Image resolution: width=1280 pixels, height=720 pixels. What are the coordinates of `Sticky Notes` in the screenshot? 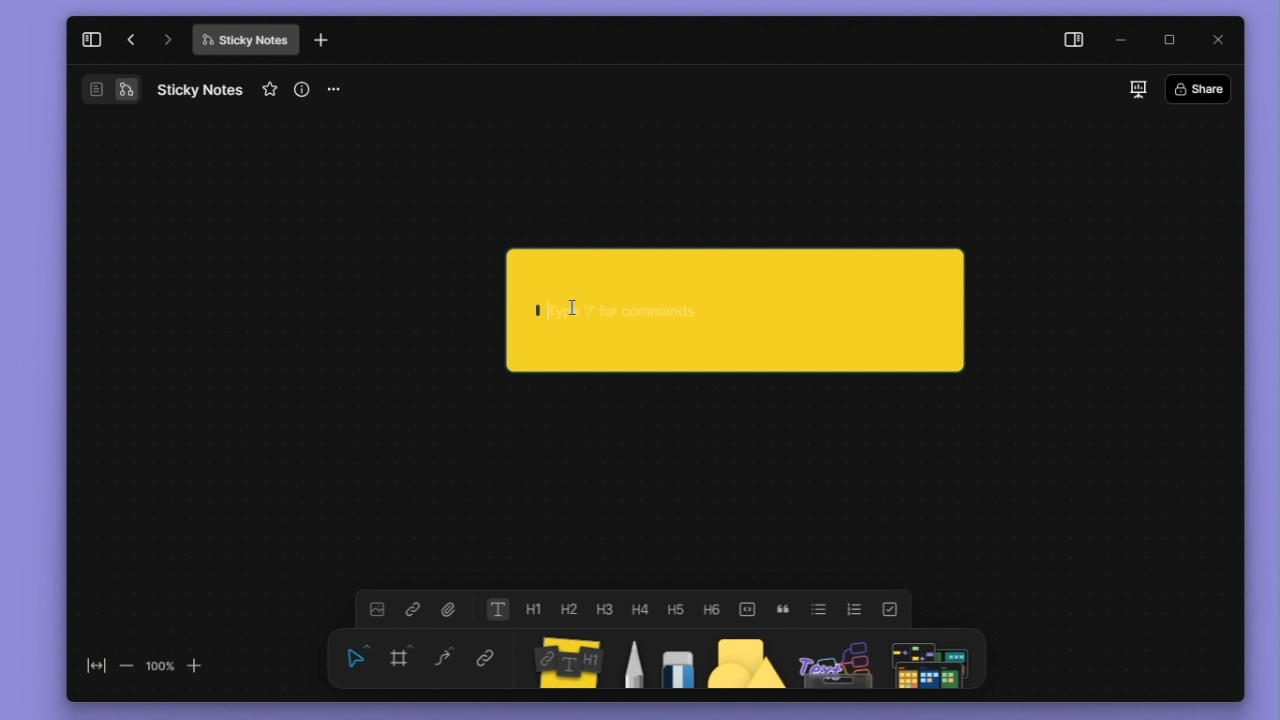 It's located at (243, 43).